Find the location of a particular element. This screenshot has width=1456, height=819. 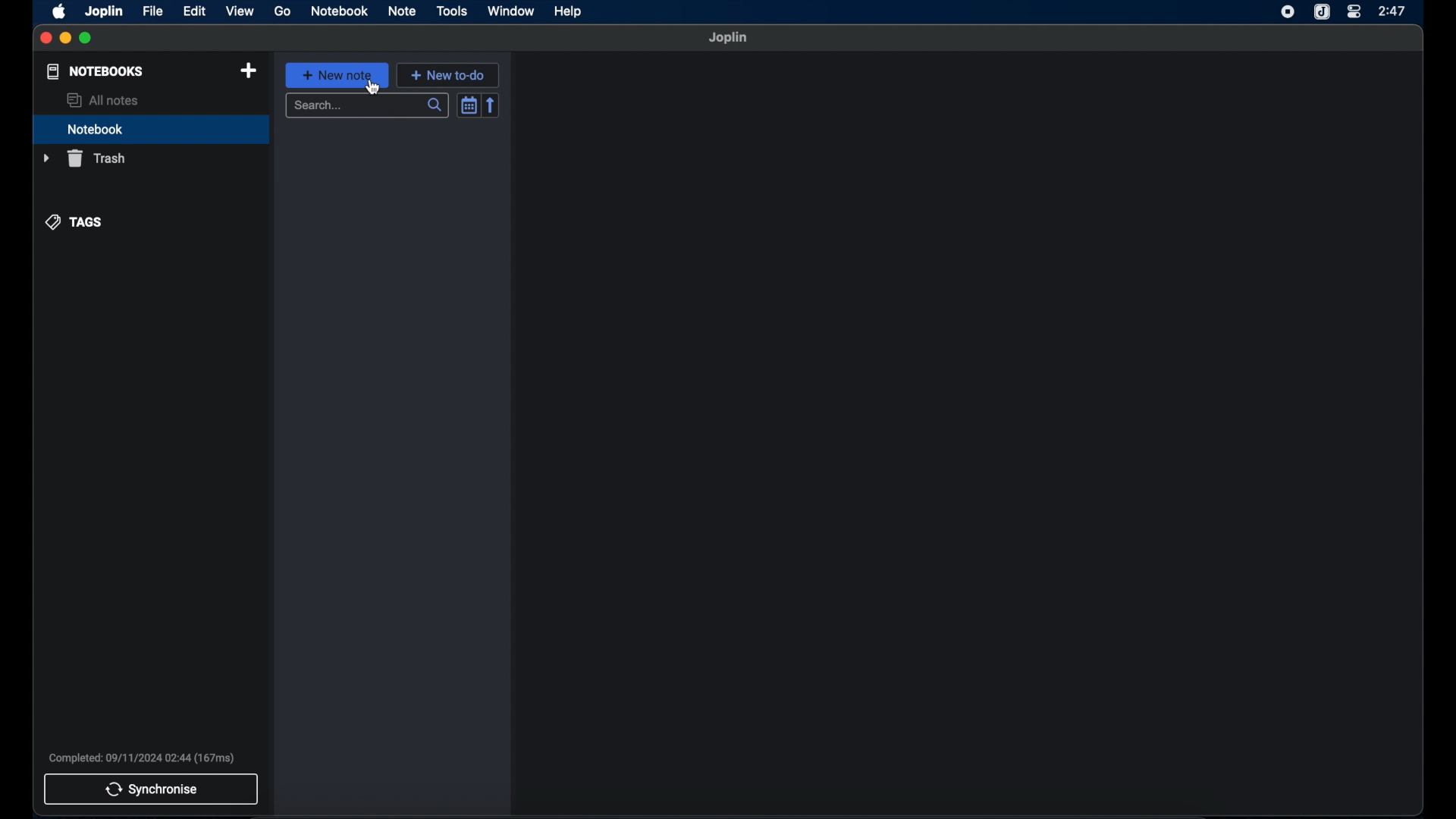

new to-do is located at coordinates (450, 74).